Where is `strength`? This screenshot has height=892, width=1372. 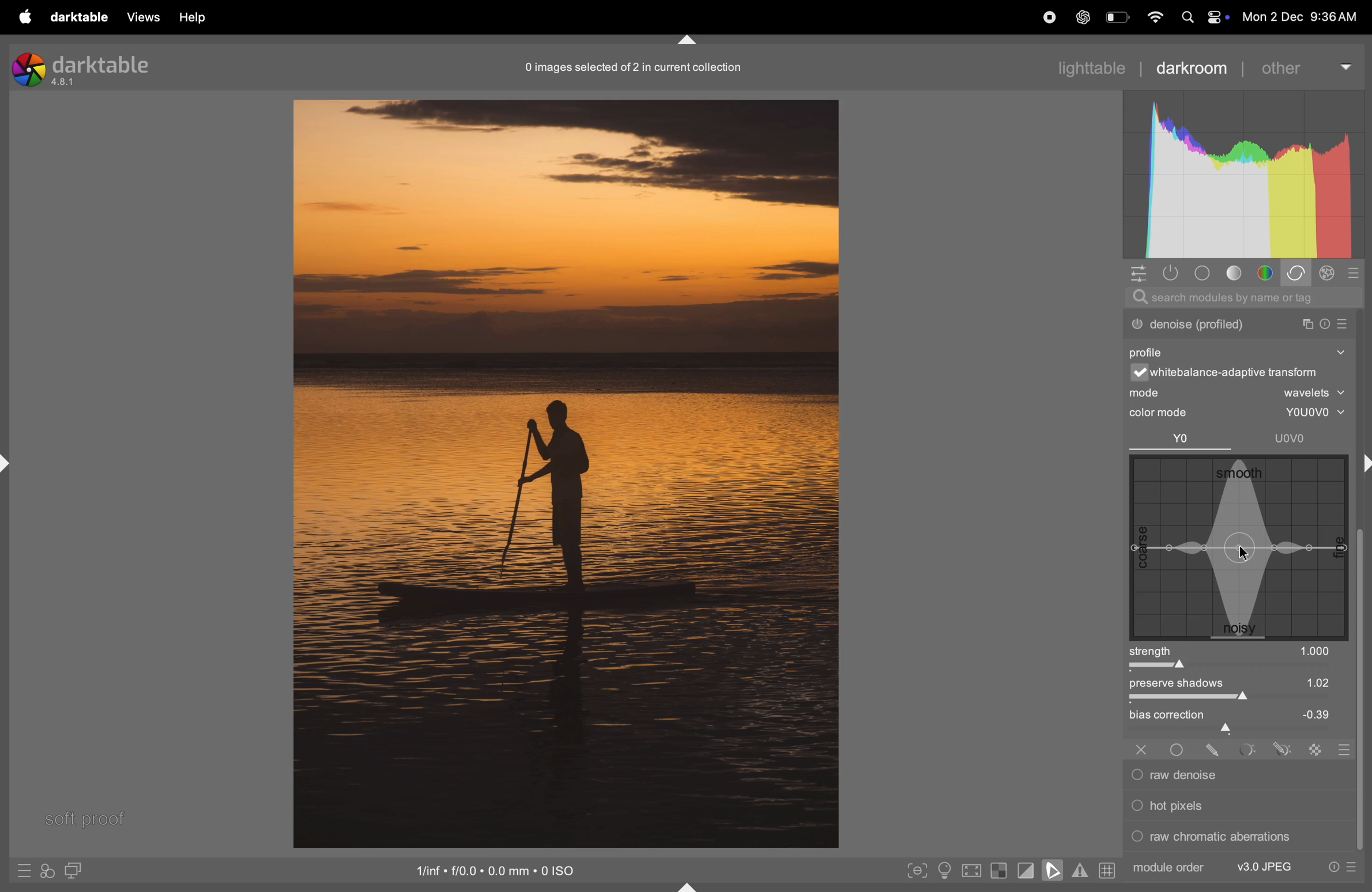
strength is located at coordinates (1153, 651).